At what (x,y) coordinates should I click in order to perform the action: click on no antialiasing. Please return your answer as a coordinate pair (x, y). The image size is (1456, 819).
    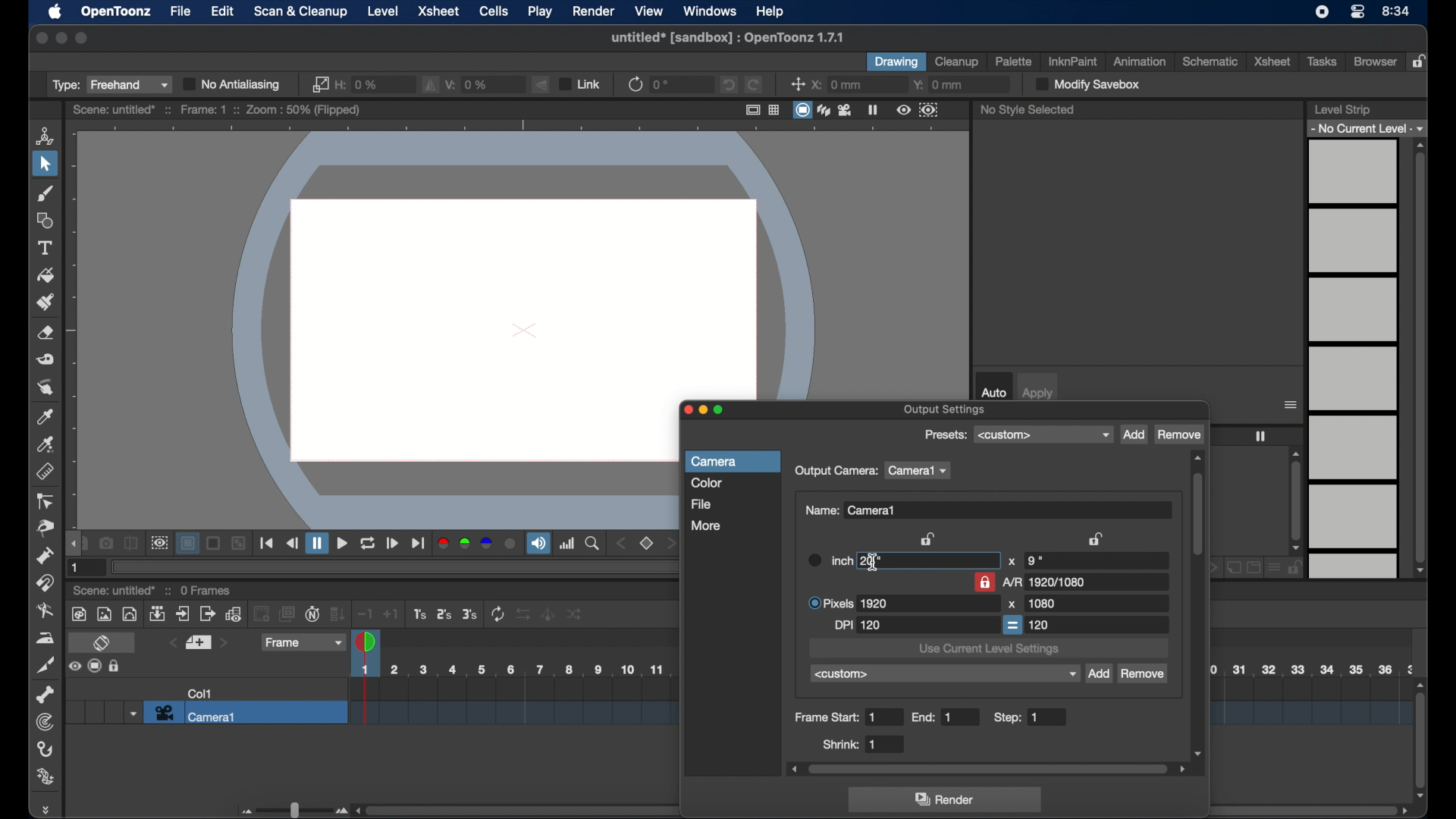
    Looking at the image, I should click on (233, 84).